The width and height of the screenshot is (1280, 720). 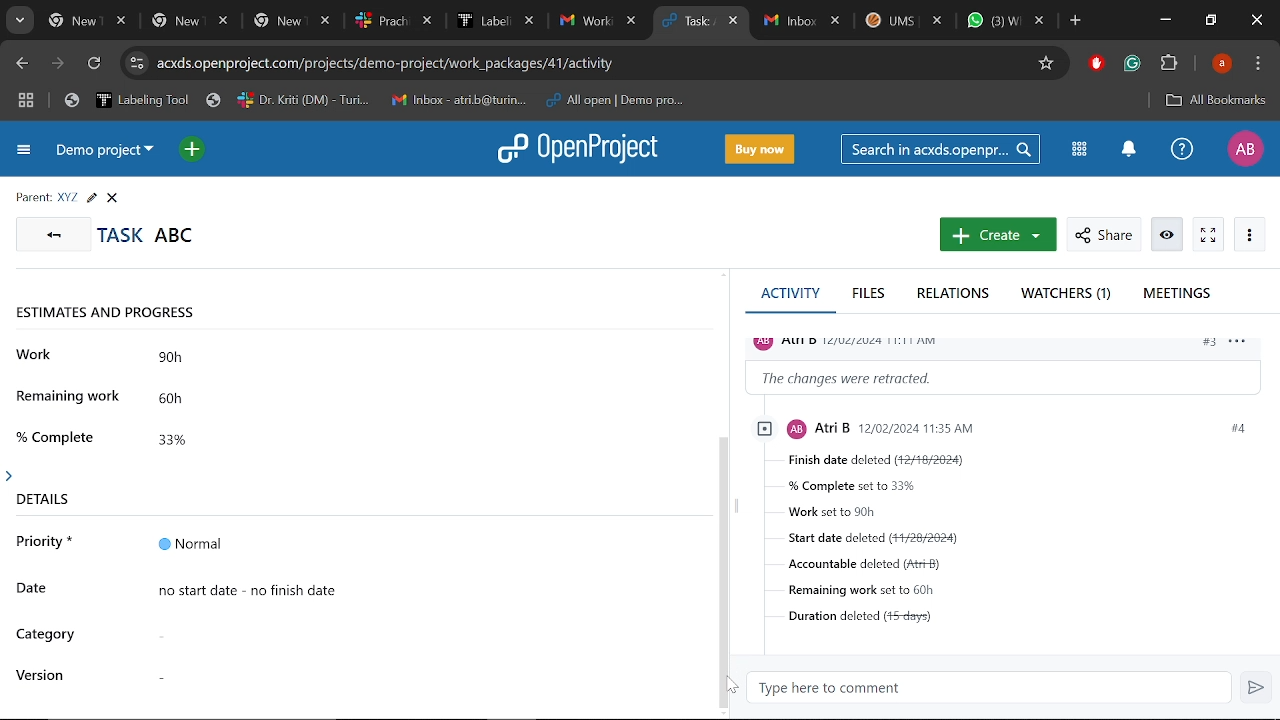 What do you see at coordinates (50, 233) in the screenshot?
I see `GO back` at bounding box center [50, 233].